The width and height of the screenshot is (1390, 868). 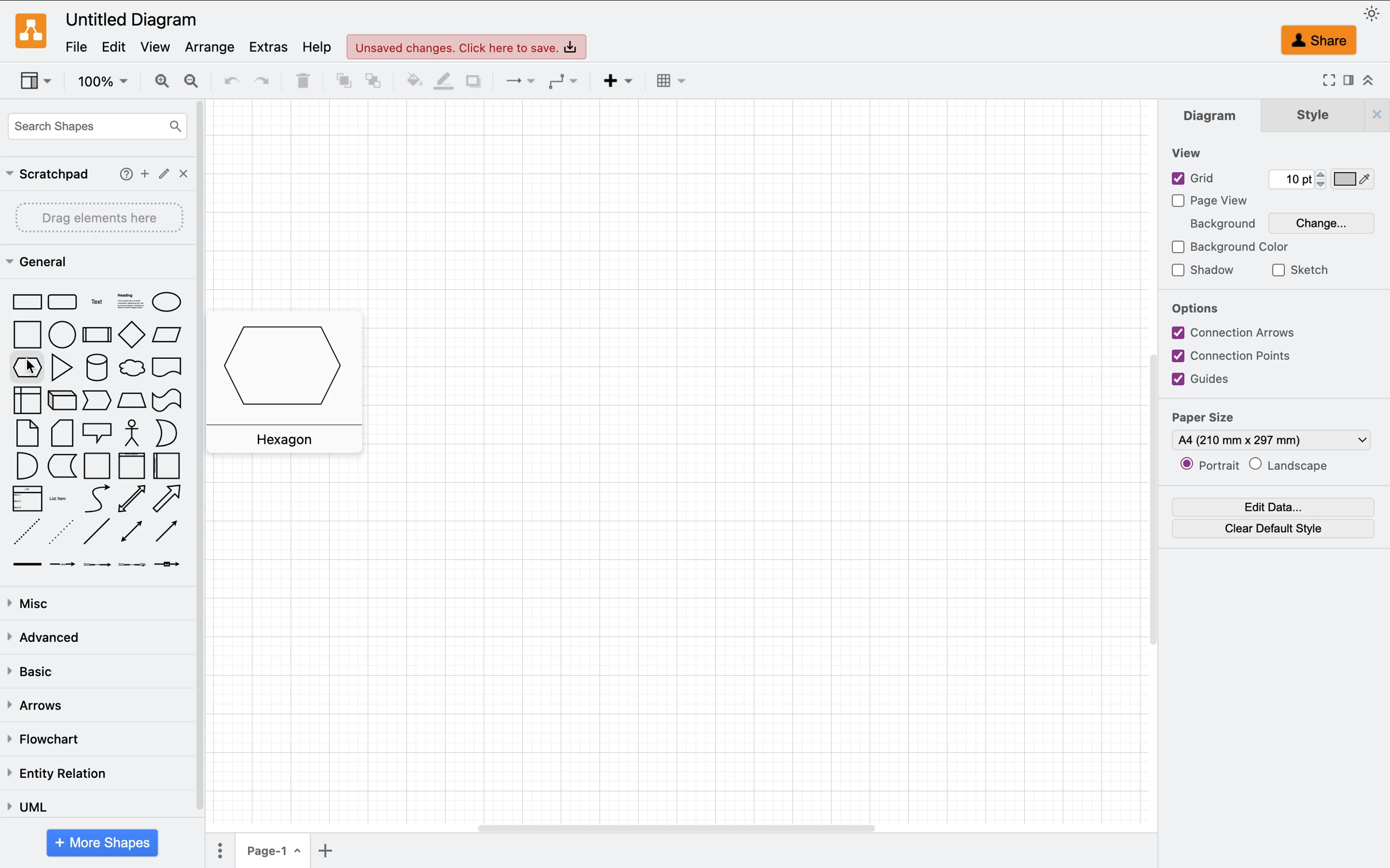 I want to click on square, so click(x=26, y=336).